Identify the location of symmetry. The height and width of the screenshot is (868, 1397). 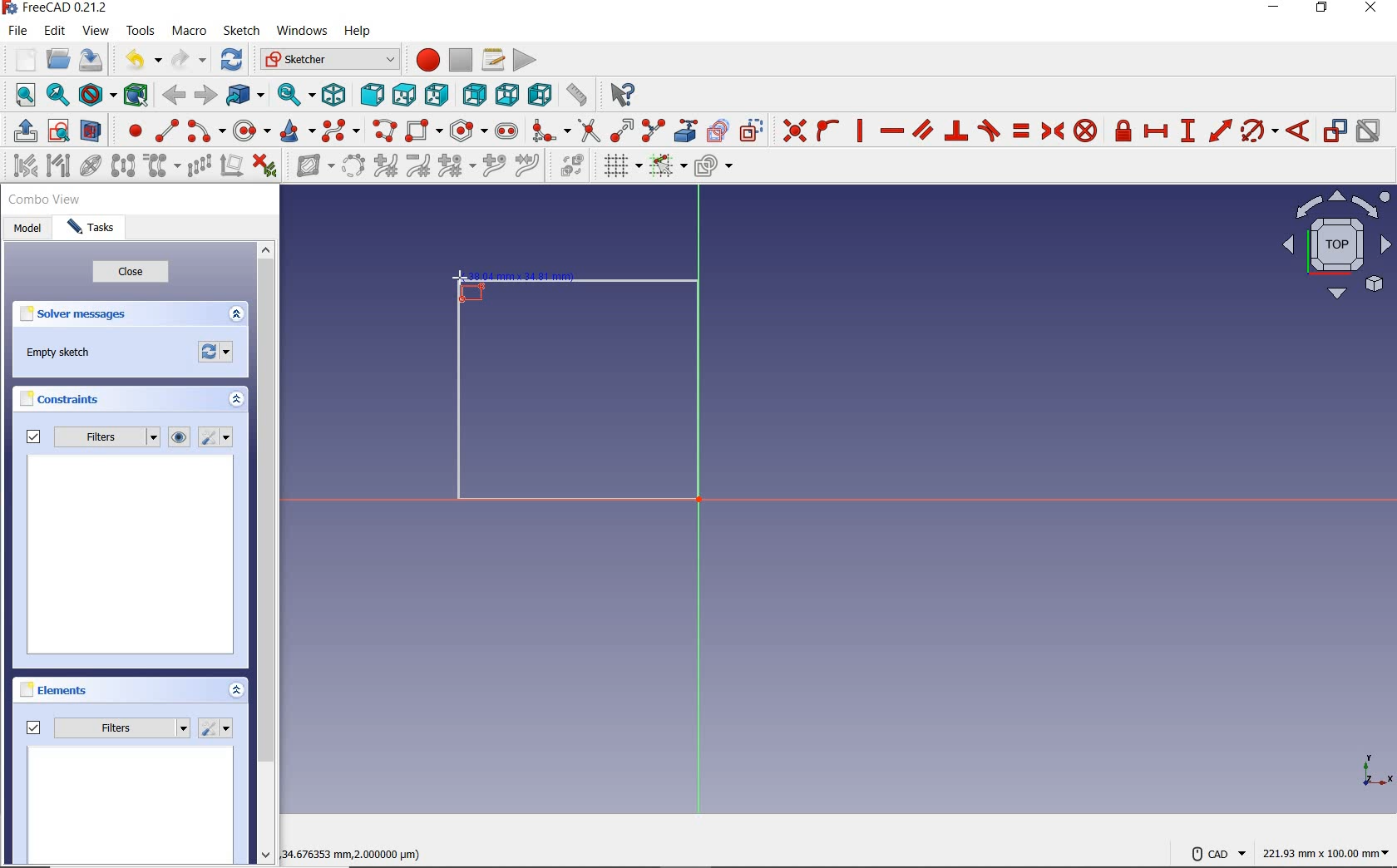
(124, 167).